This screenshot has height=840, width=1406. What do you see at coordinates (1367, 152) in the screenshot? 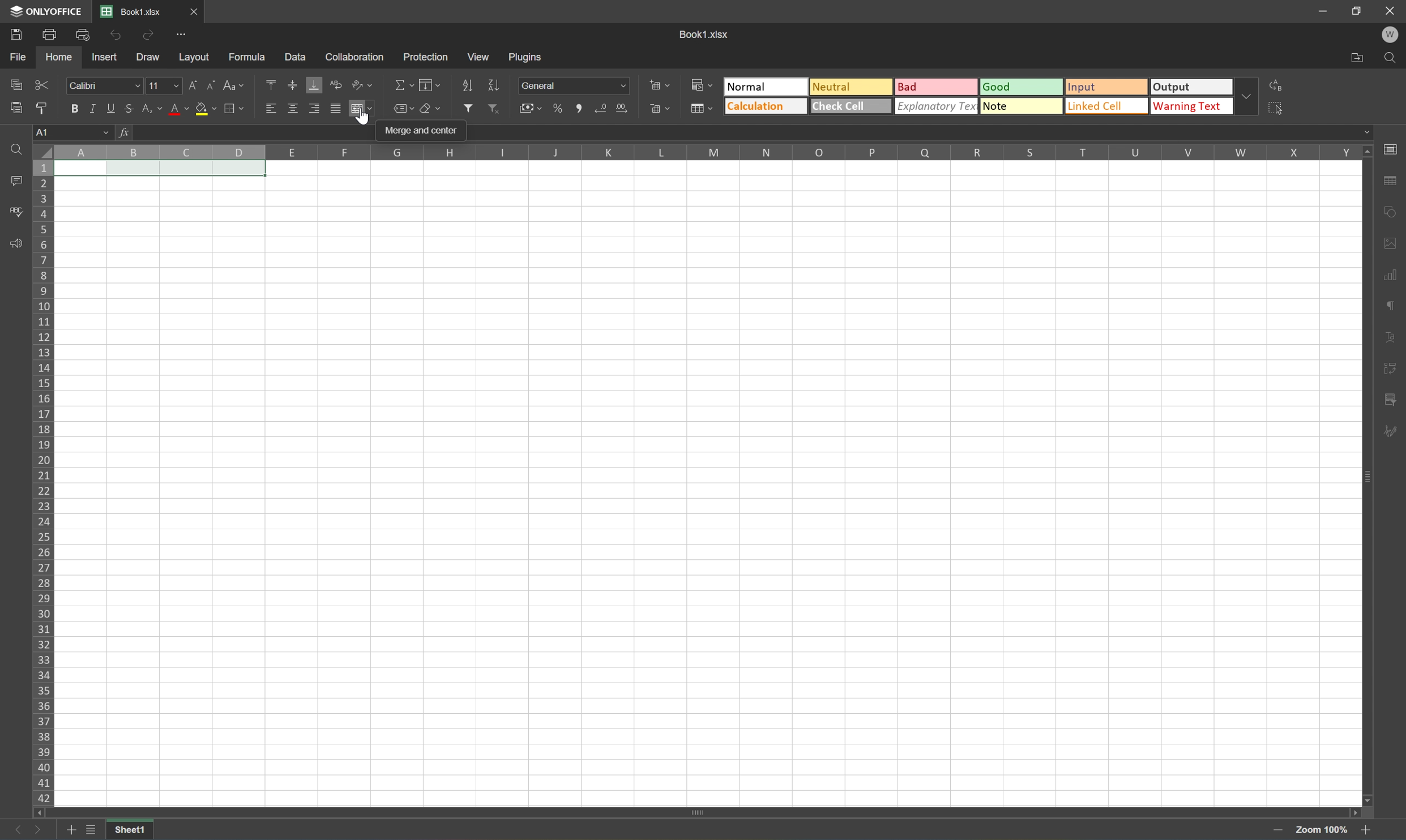
I see `Scroll up` at bounding box center [1367, 152].